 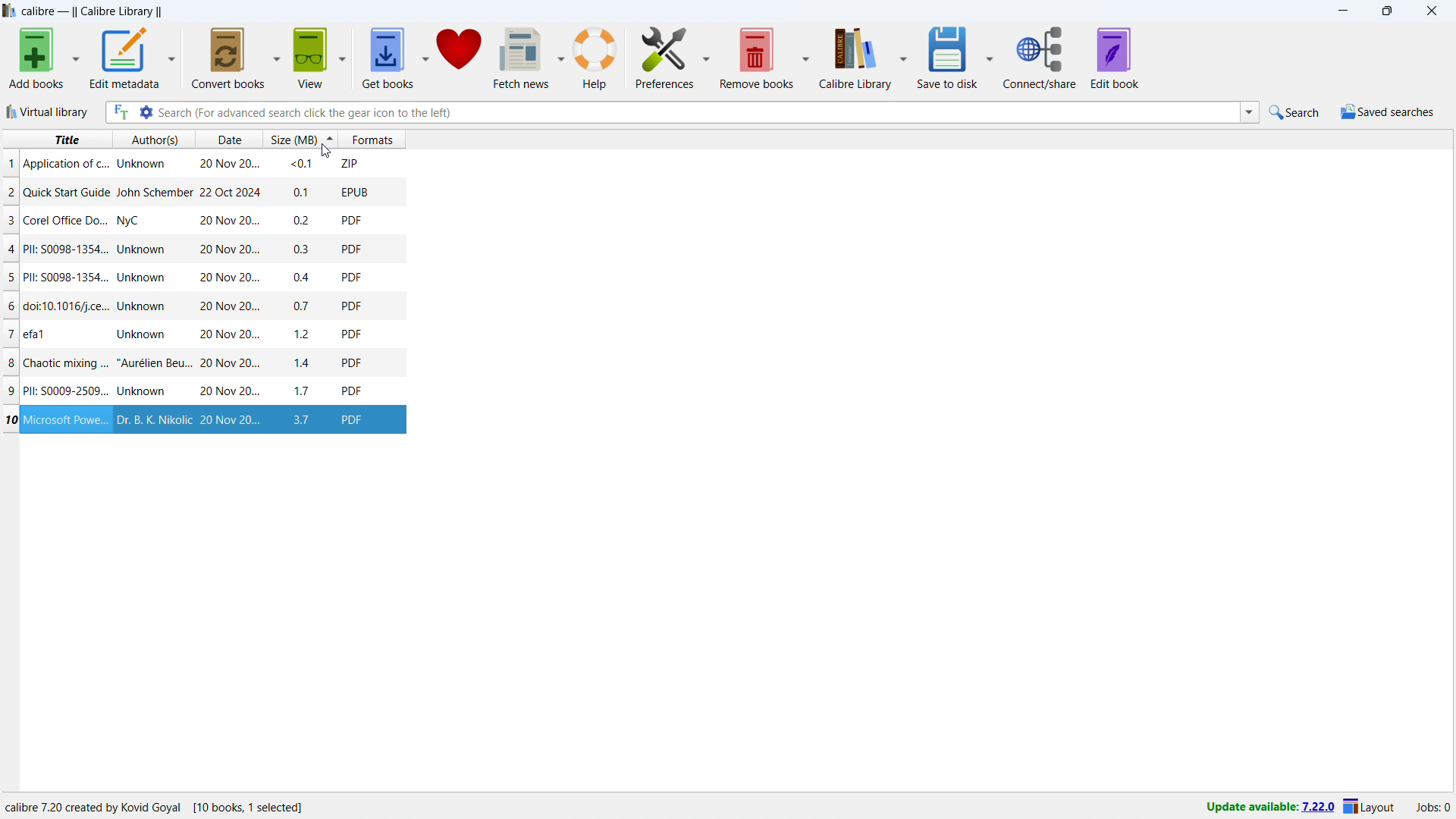 What do you see at coordinates (303, 277) in the screenshot?
I see `size` at bounding box center [303, 277].